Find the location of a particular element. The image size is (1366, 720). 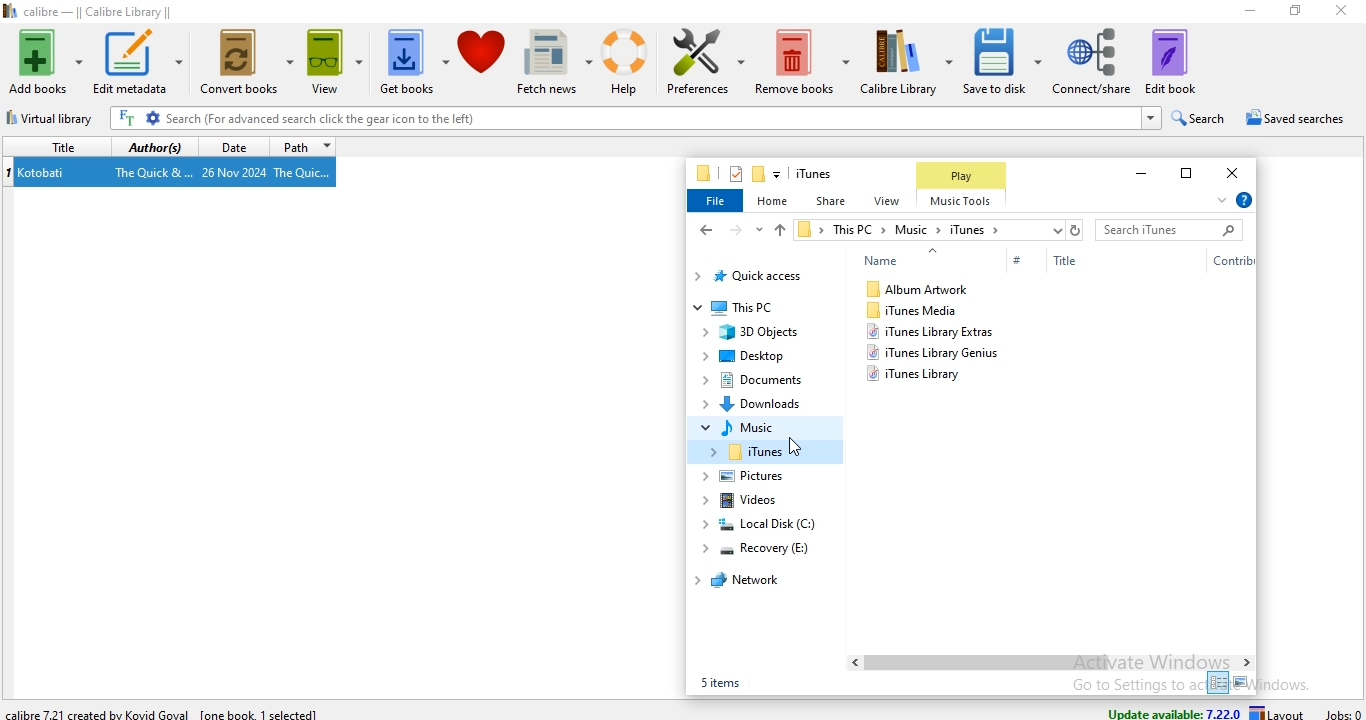

Kotobati is located at coordinates (43, 173).